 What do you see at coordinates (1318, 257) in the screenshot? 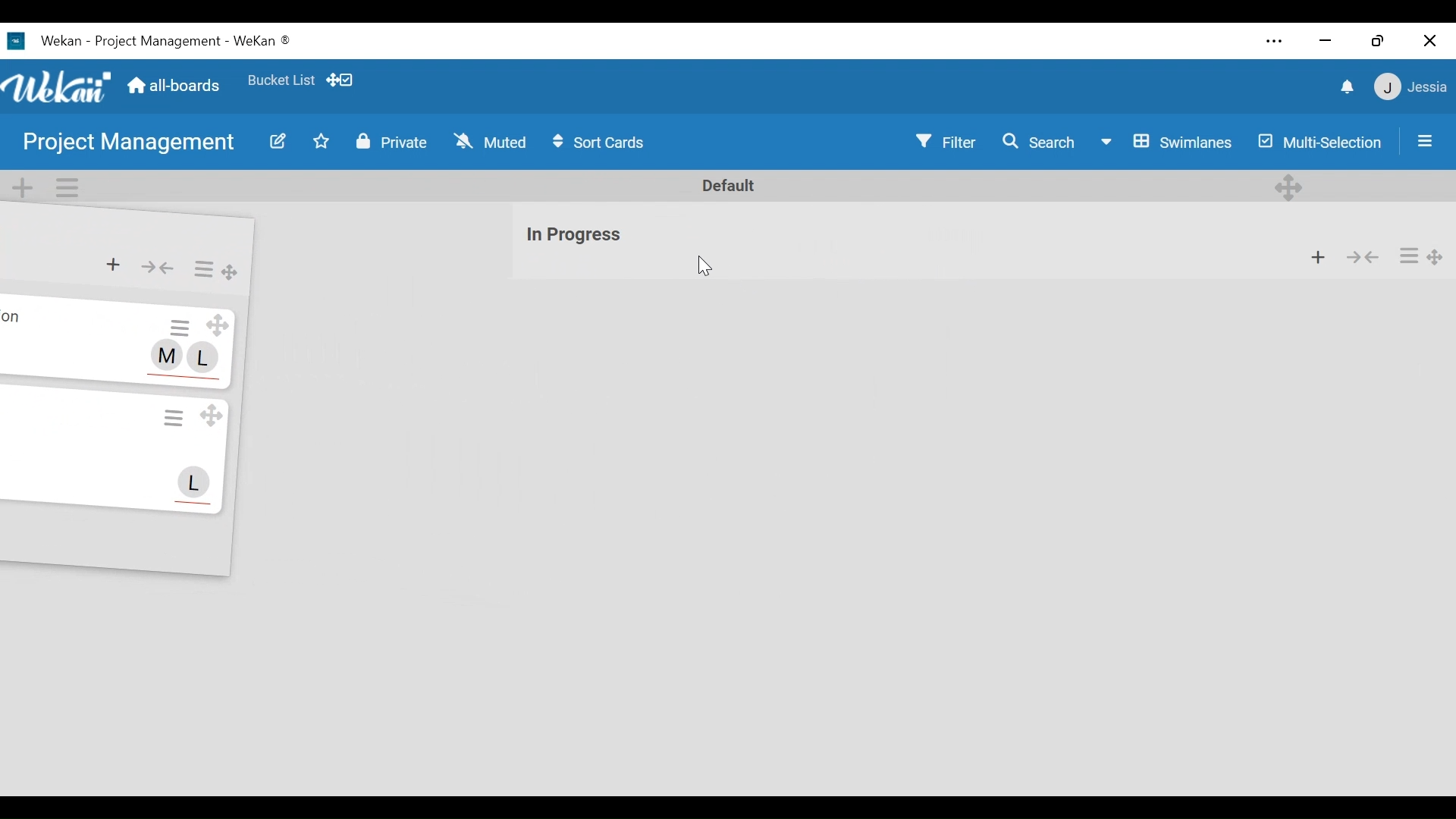
I see `Add card to the top of list` at bounding box center [1318, 257].